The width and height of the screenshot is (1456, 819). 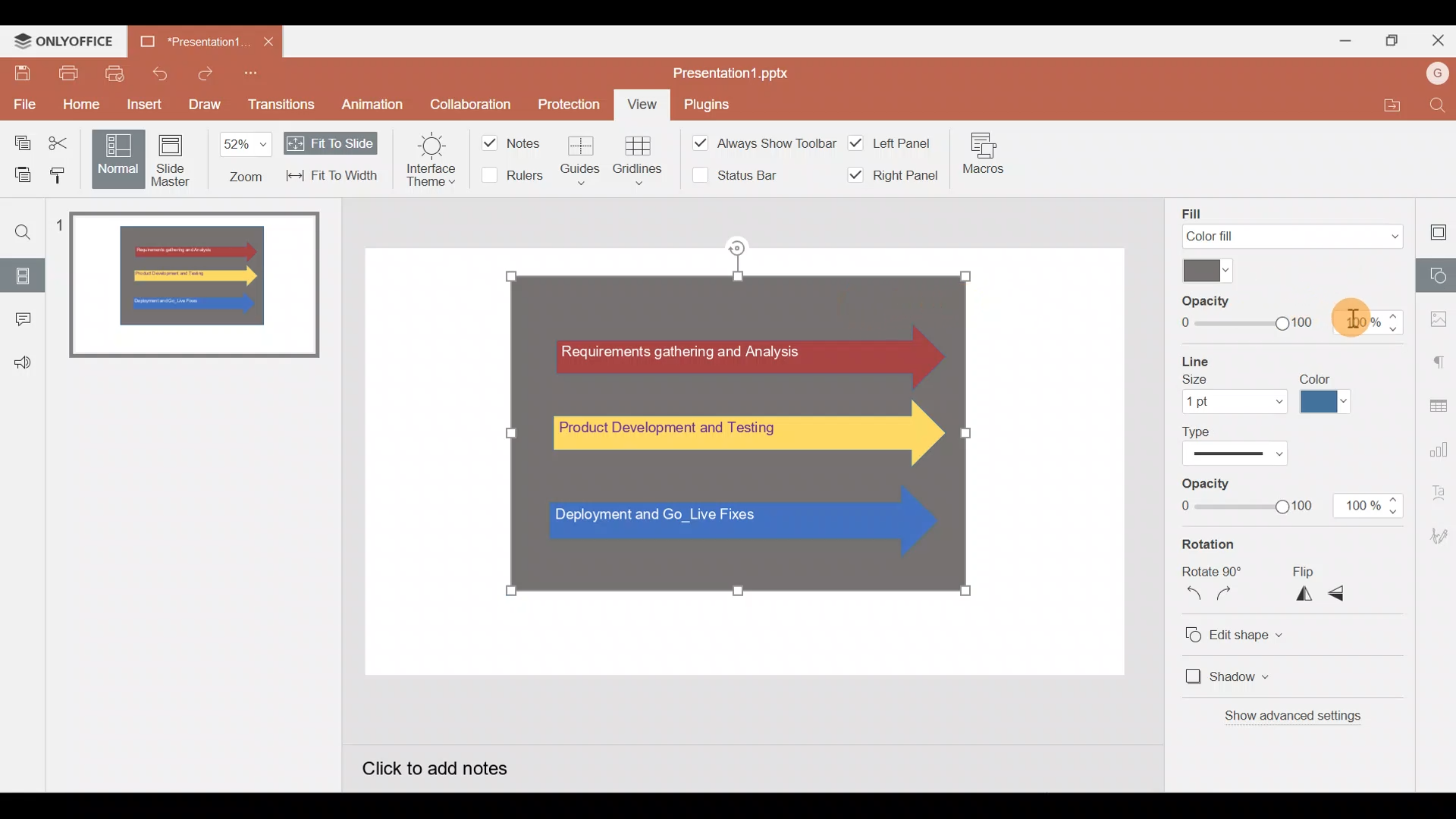 What do you see at coordinates (64, 74) in the screenshot?
I see `Print file` at bounding box center [64, 74].